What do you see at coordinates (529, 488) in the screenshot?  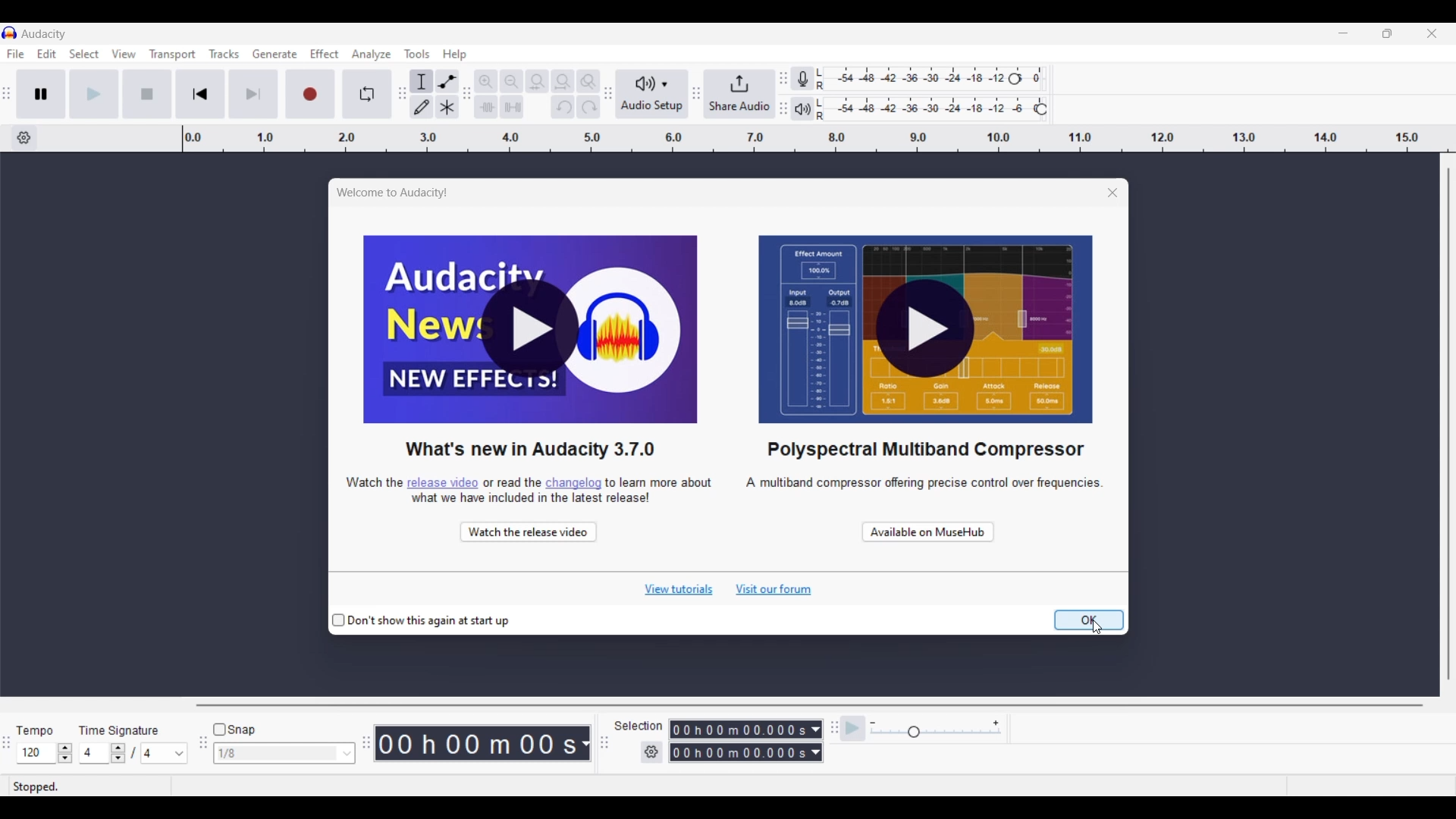 I see `Watch the release video or read the changelog to learn more about ‘what we have included in the latest release!` at bounding box center [529, 488].